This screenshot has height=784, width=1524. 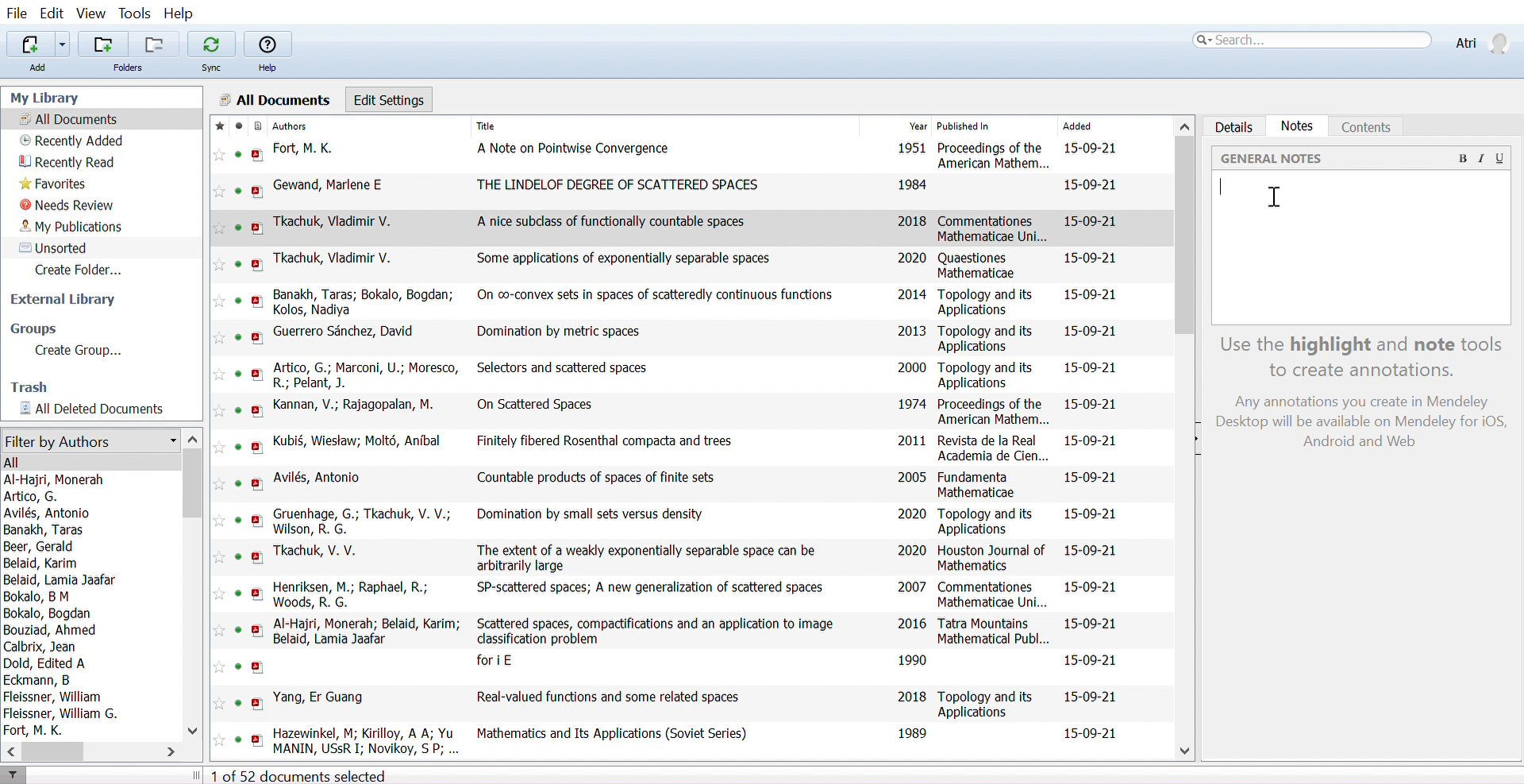 What do you see at coordinates (910, 256) in the screenshot?
I see `2020` at bounding box center [910, 256].